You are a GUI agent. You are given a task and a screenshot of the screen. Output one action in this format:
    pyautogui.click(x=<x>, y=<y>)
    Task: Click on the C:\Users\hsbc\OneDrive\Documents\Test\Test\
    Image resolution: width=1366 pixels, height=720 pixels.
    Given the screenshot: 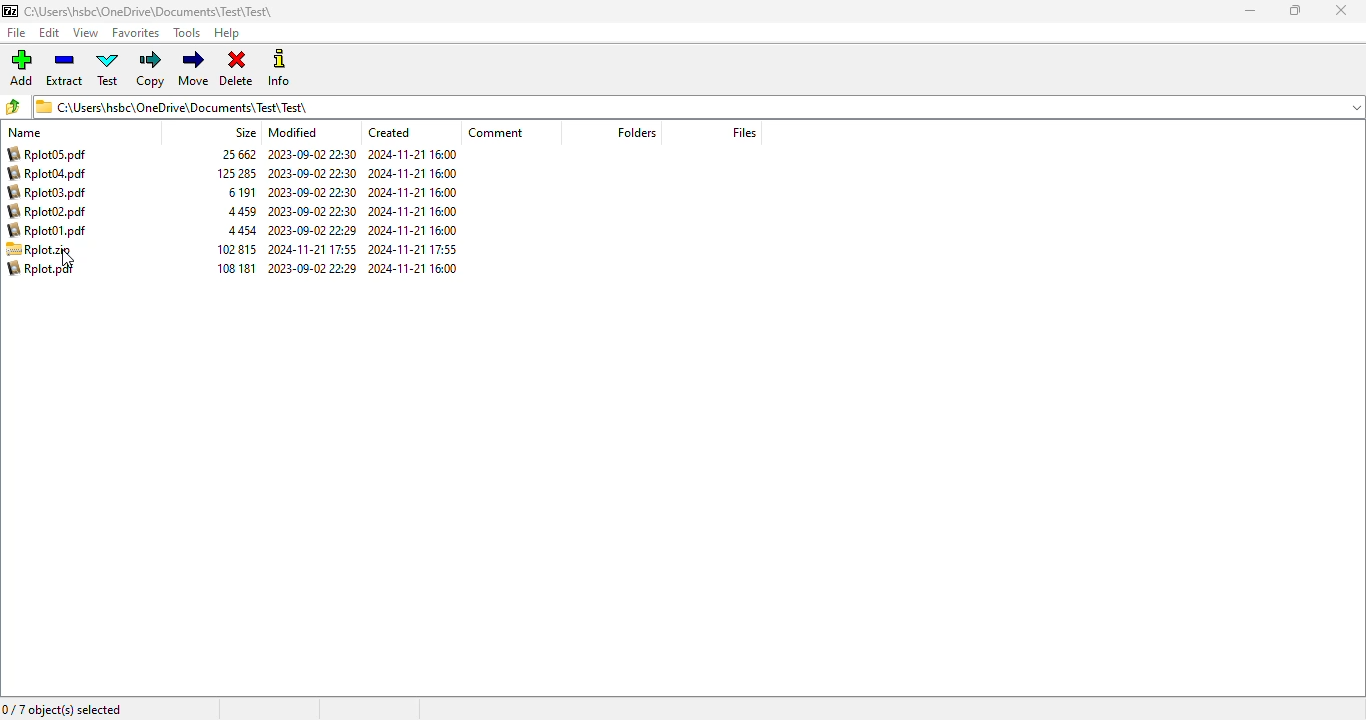 What is the action you would take?
    pyautogui.click(x=150, y=12)
    